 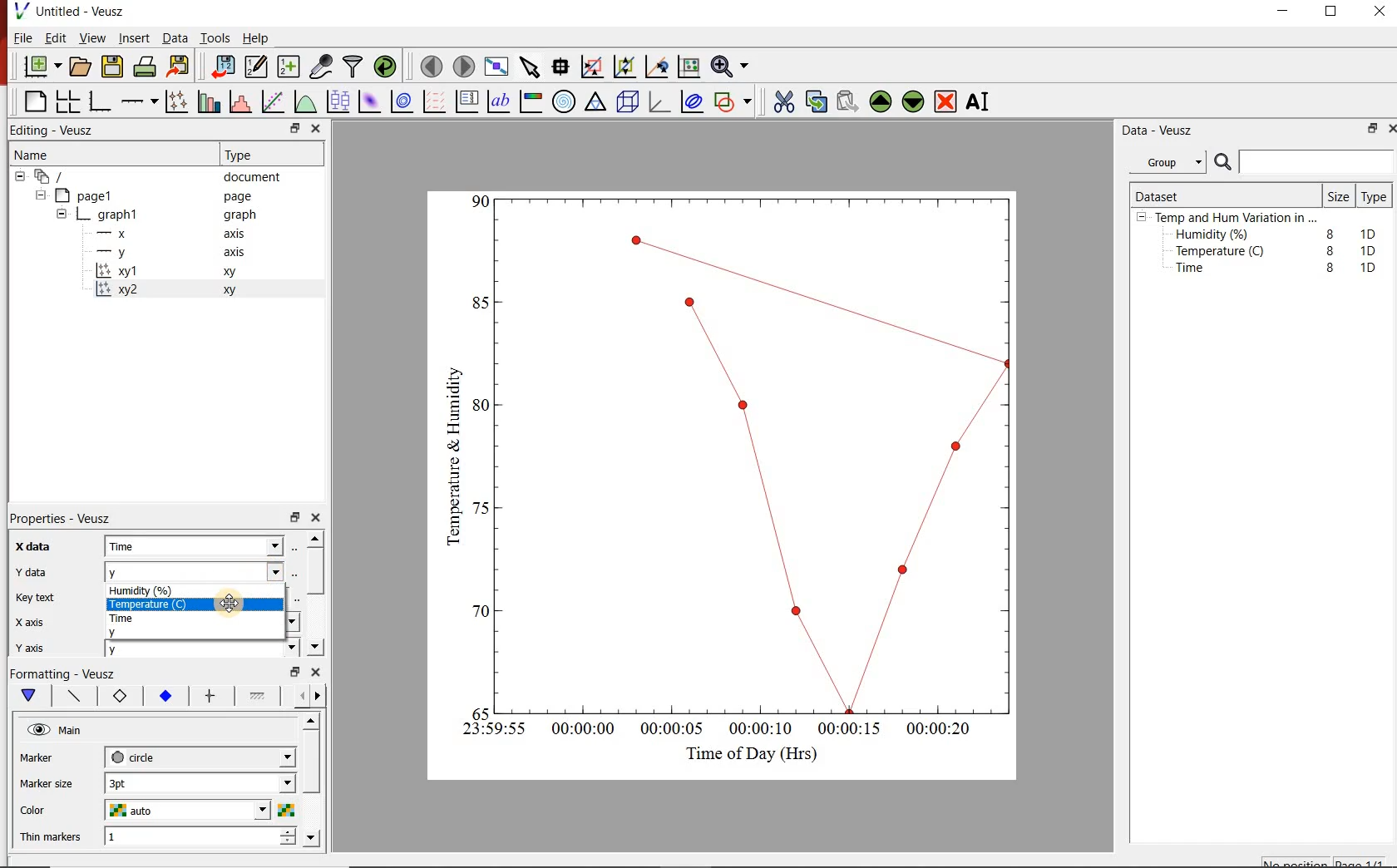 I want to click on capture remote data, so click(x=320, y=65).